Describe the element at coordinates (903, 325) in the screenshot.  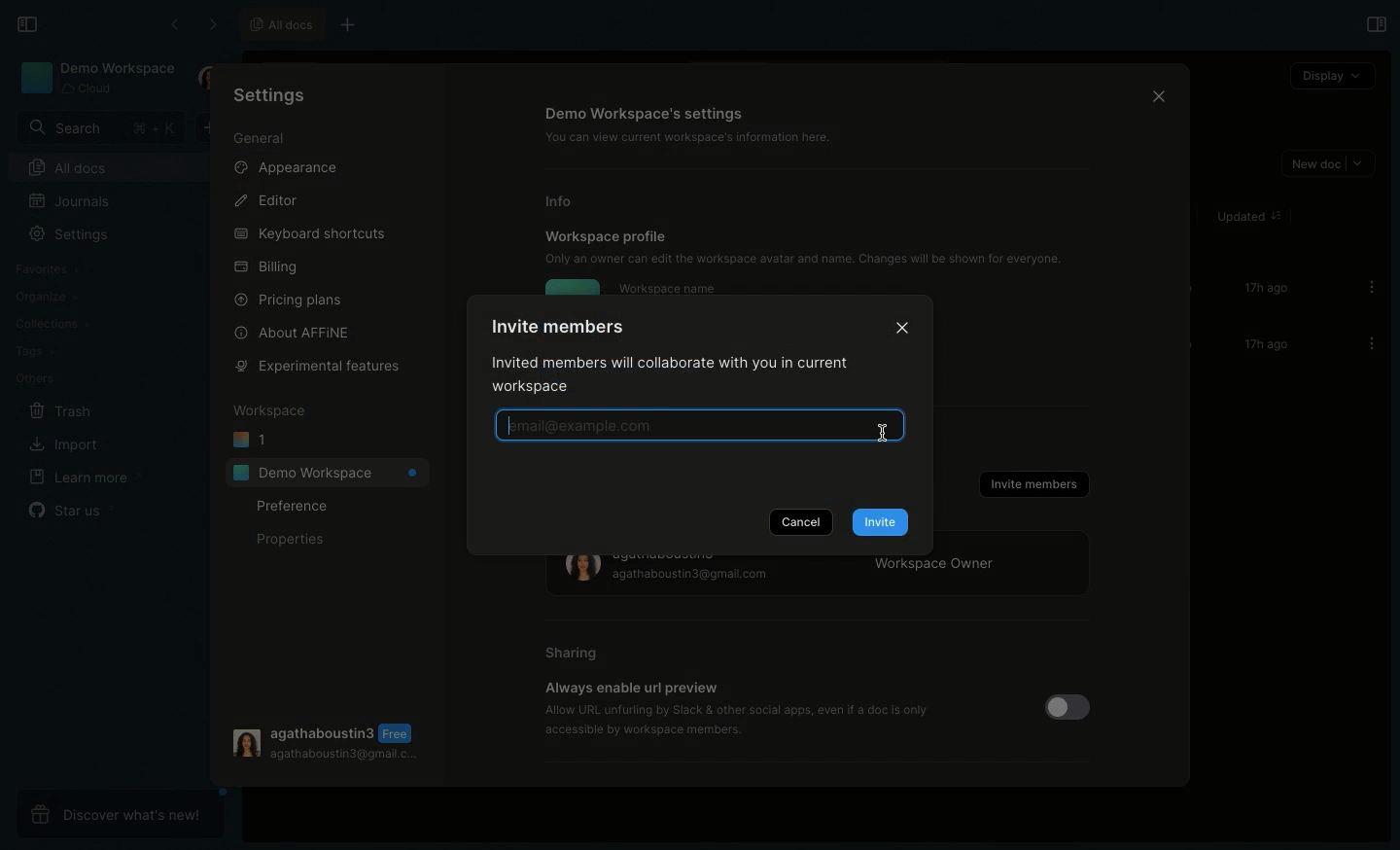
I see `Close` at that location.